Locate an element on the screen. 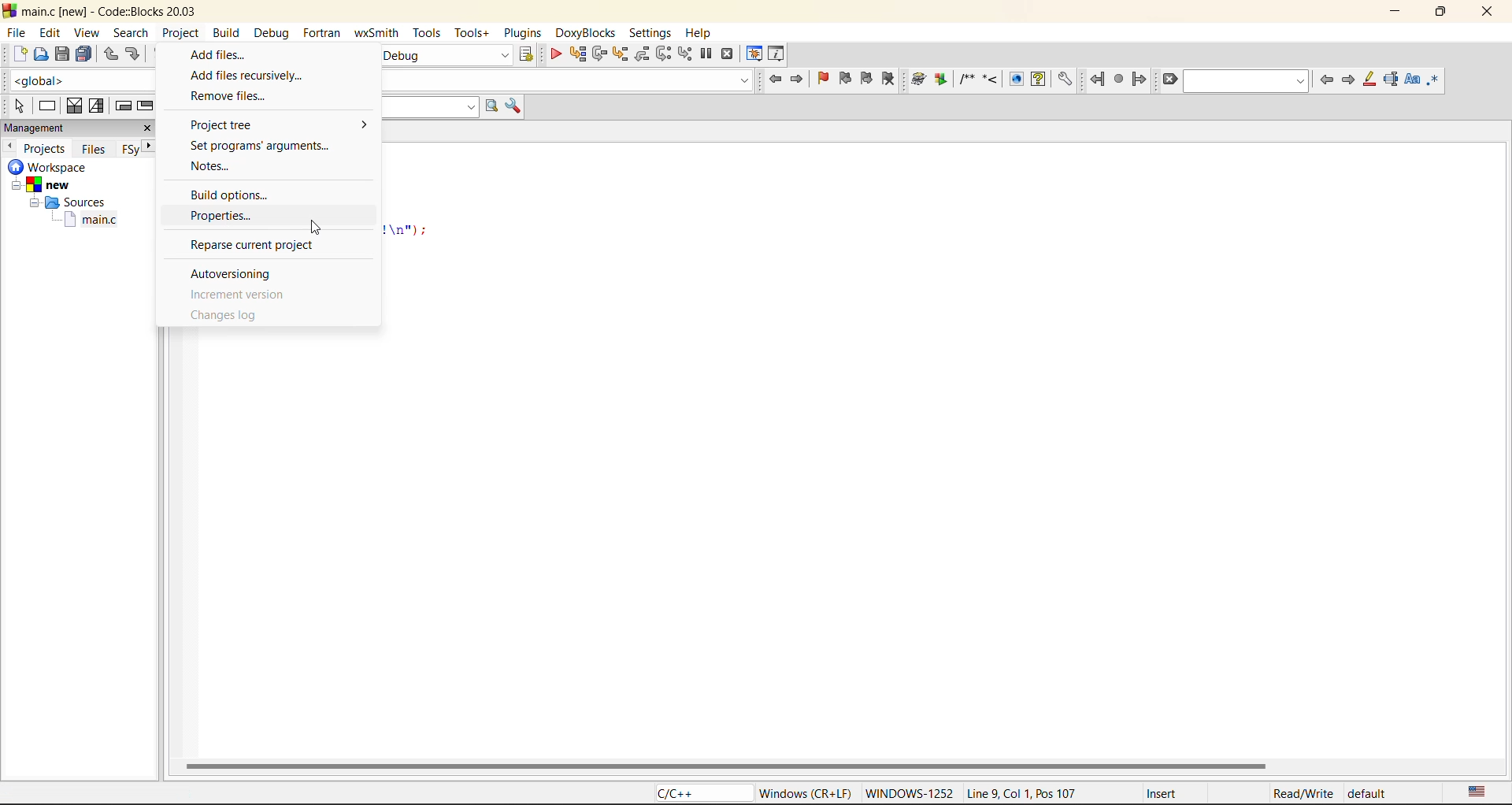 This screenshot has height=805, width=1512. notes is located at coordinates (214, 166).